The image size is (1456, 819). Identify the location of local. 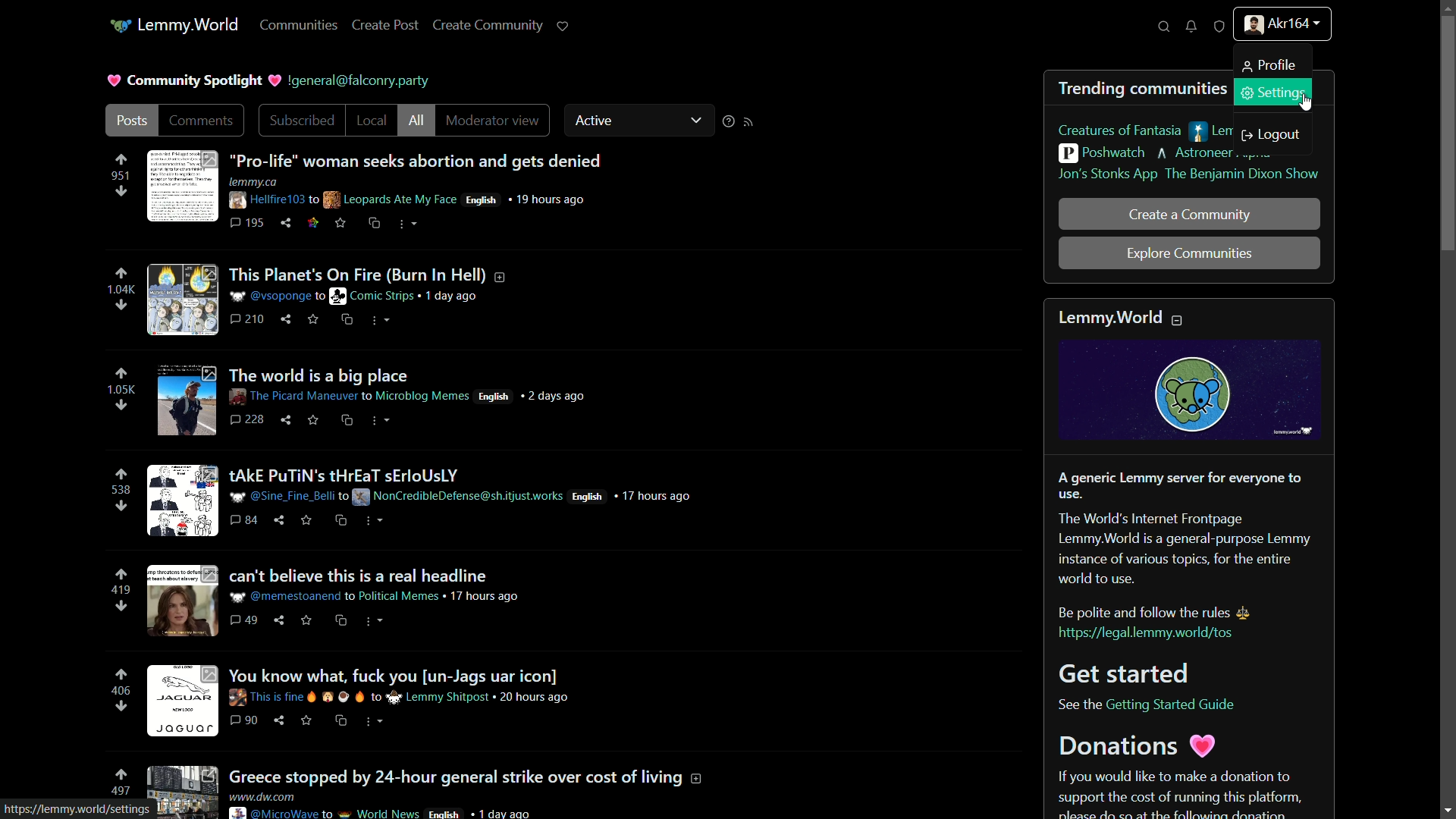
(372, 120).